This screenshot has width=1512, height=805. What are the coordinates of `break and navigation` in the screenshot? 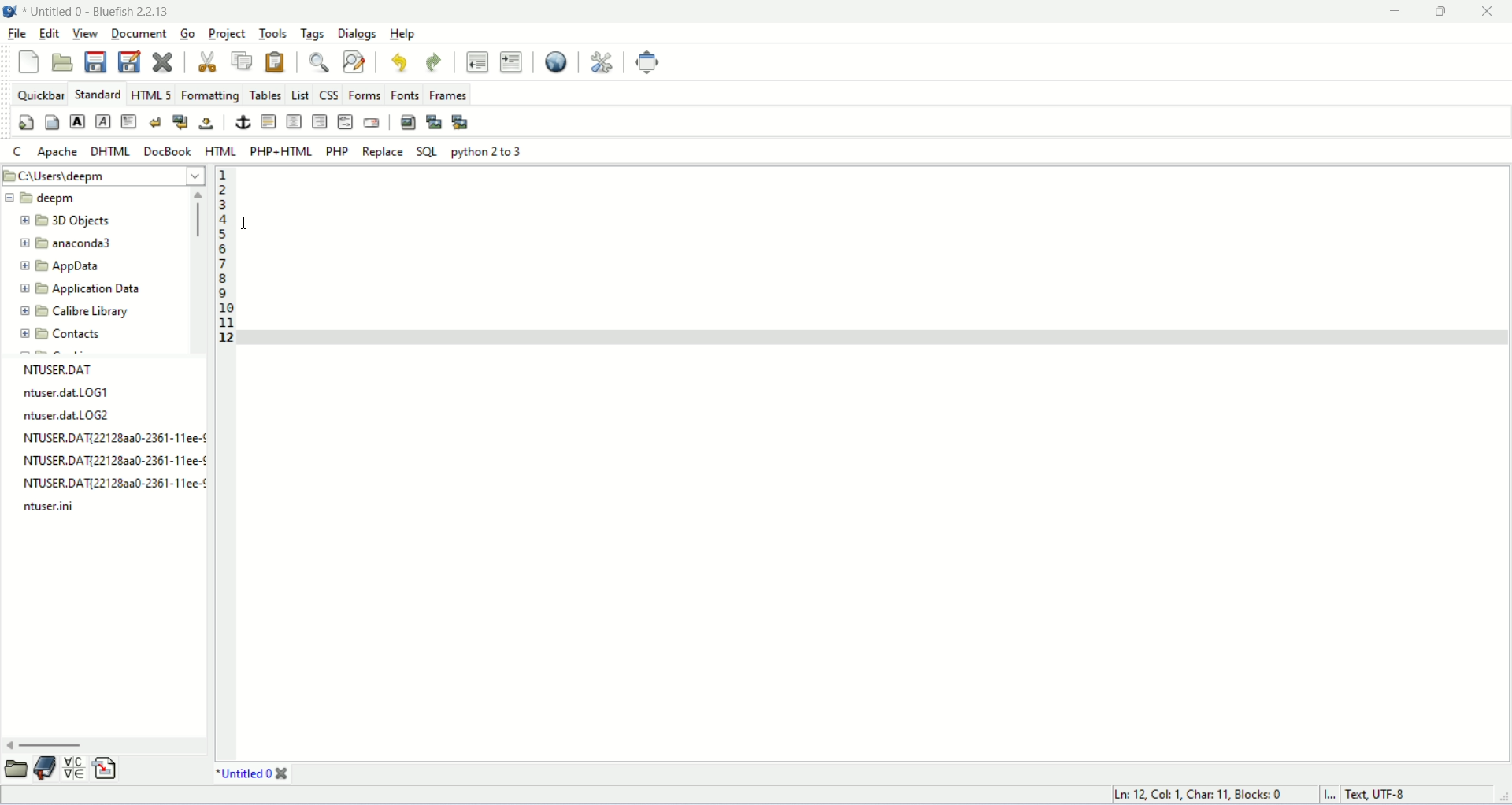 It's located at (180, 122).